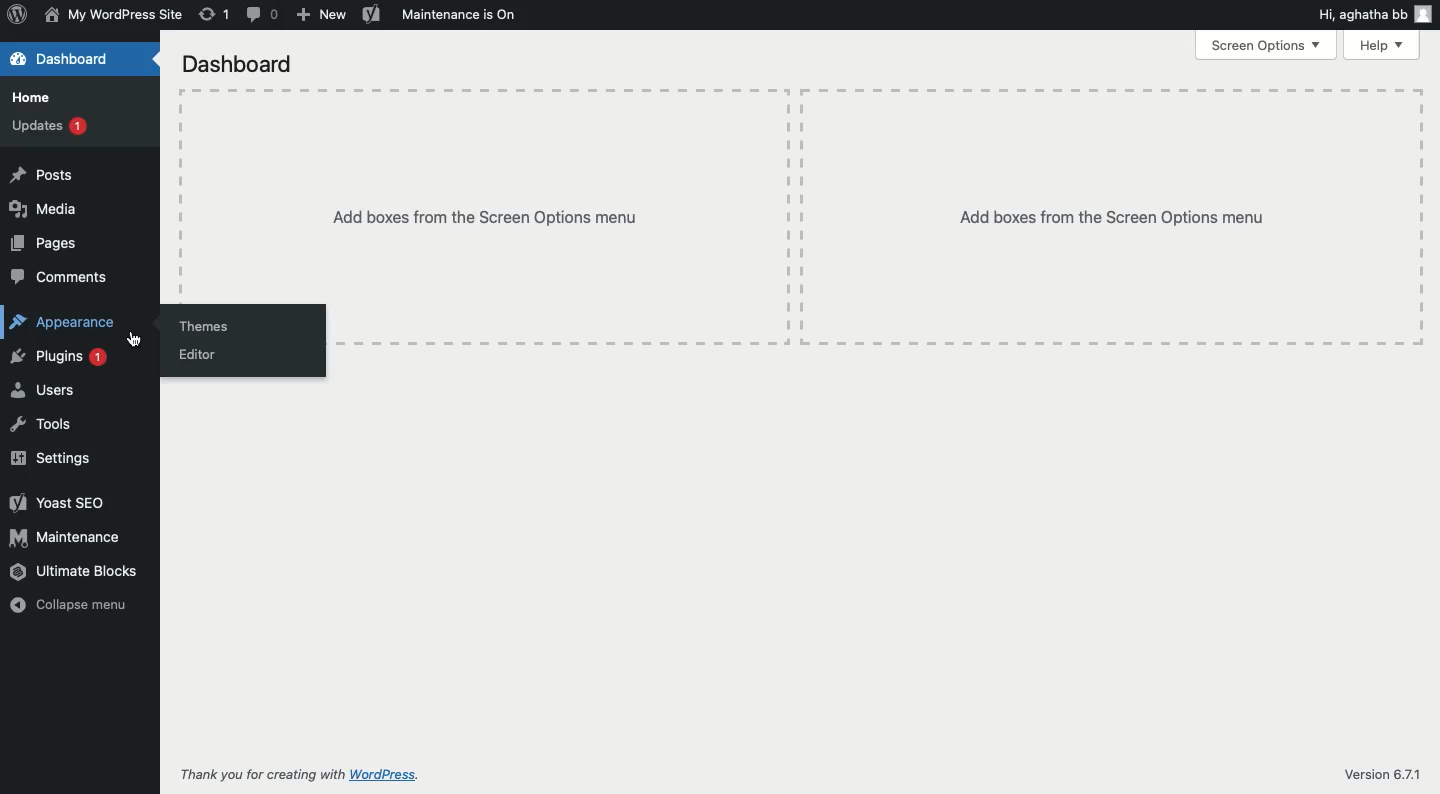  Describe the element at coordinates (371, 15) in the screenshot. I see `Yoast` at that location.